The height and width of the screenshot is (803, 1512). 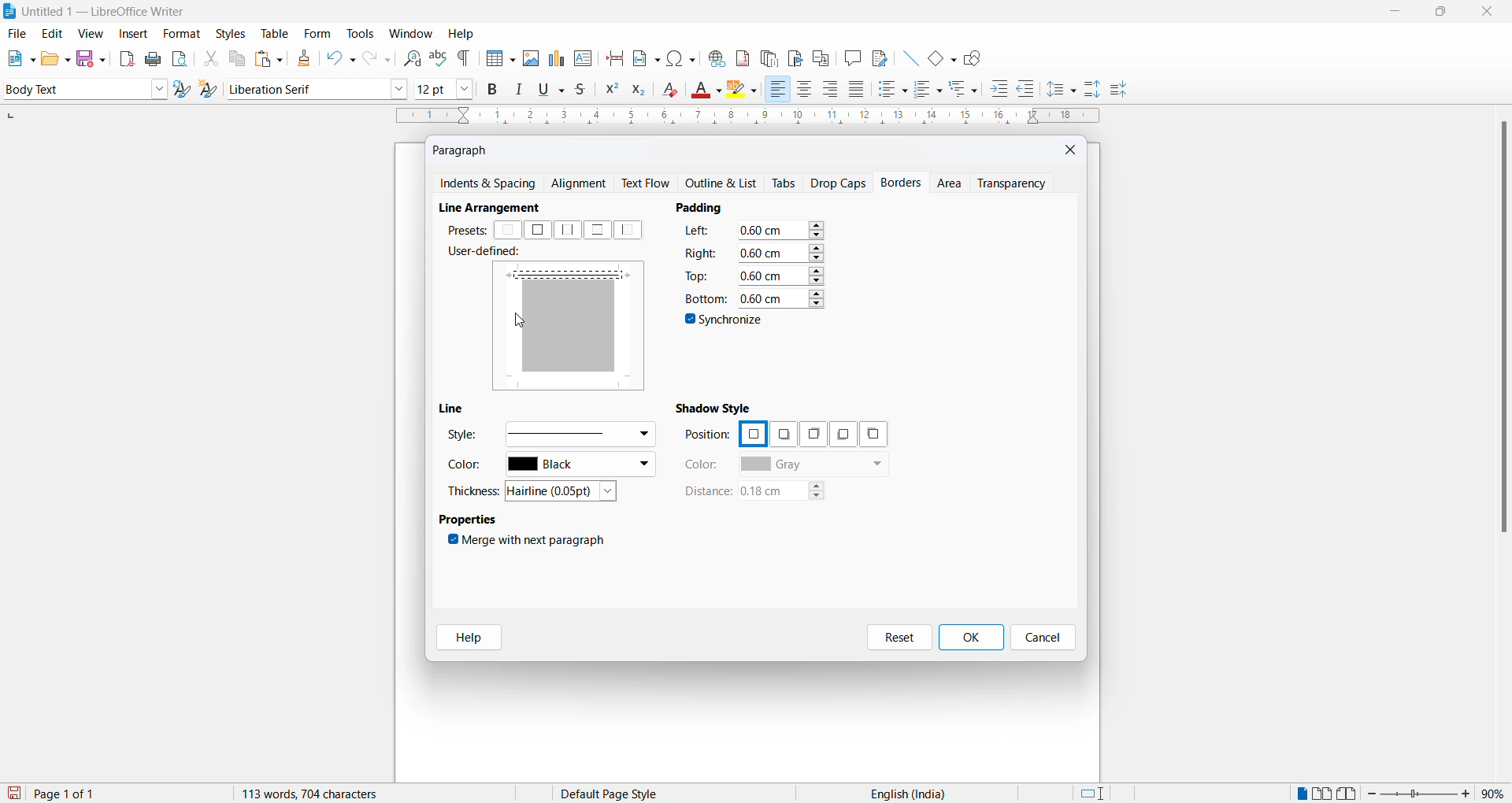 What do you see at coordinates (489, 253) in the screenshot?
I see `user defined` at bounding box center [489, 253].